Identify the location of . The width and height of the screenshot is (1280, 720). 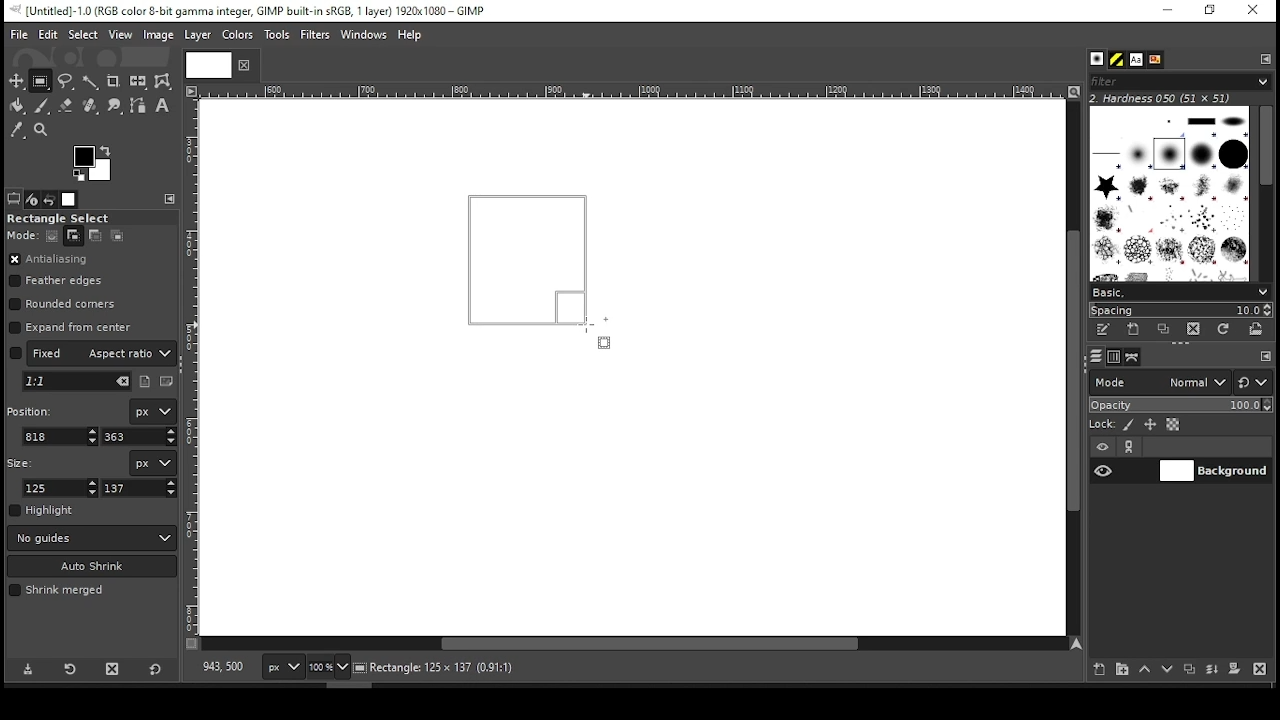
(629, 92).